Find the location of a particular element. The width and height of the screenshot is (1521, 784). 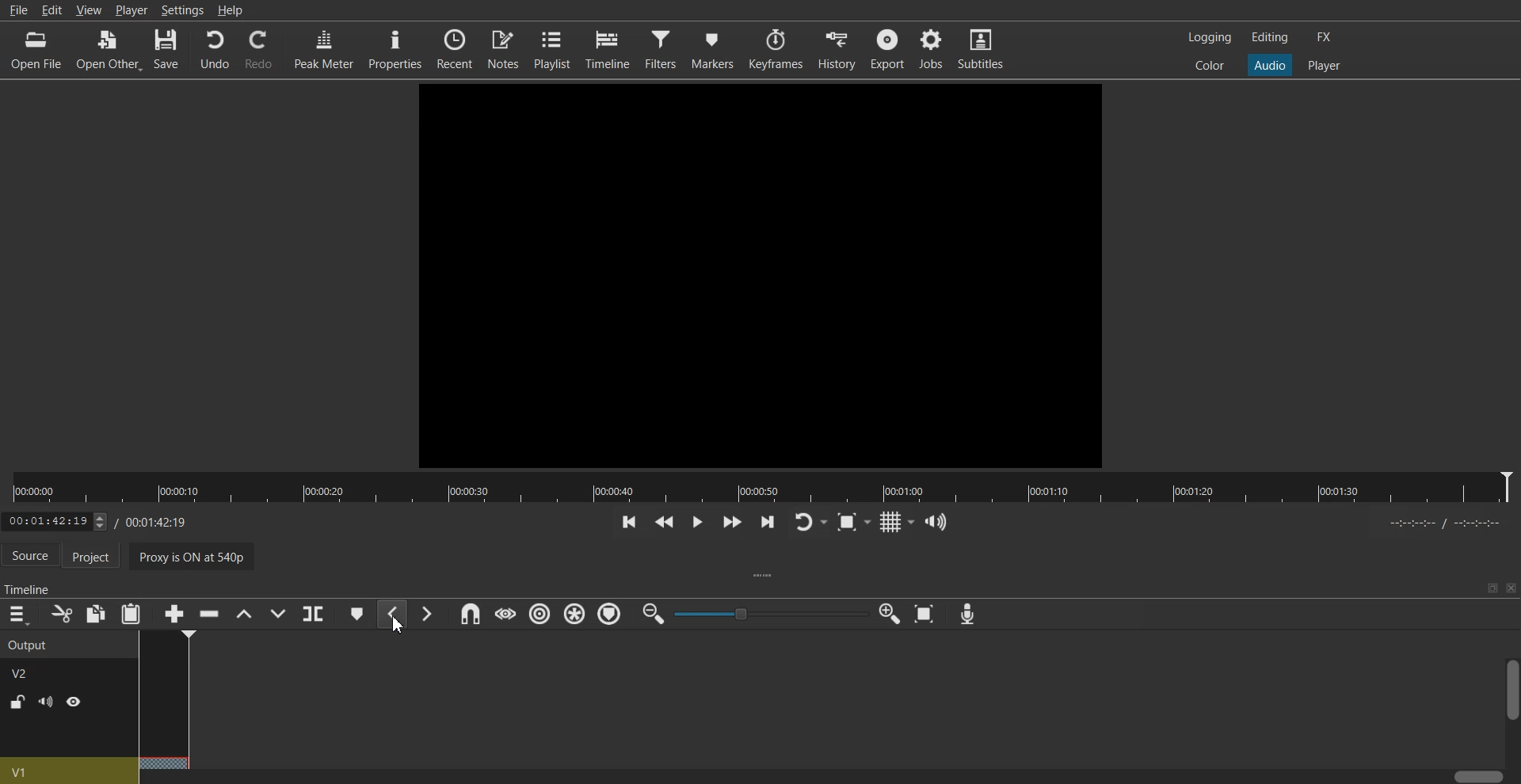

Audio file transfer to timeline is located at coordinates (756, 272).